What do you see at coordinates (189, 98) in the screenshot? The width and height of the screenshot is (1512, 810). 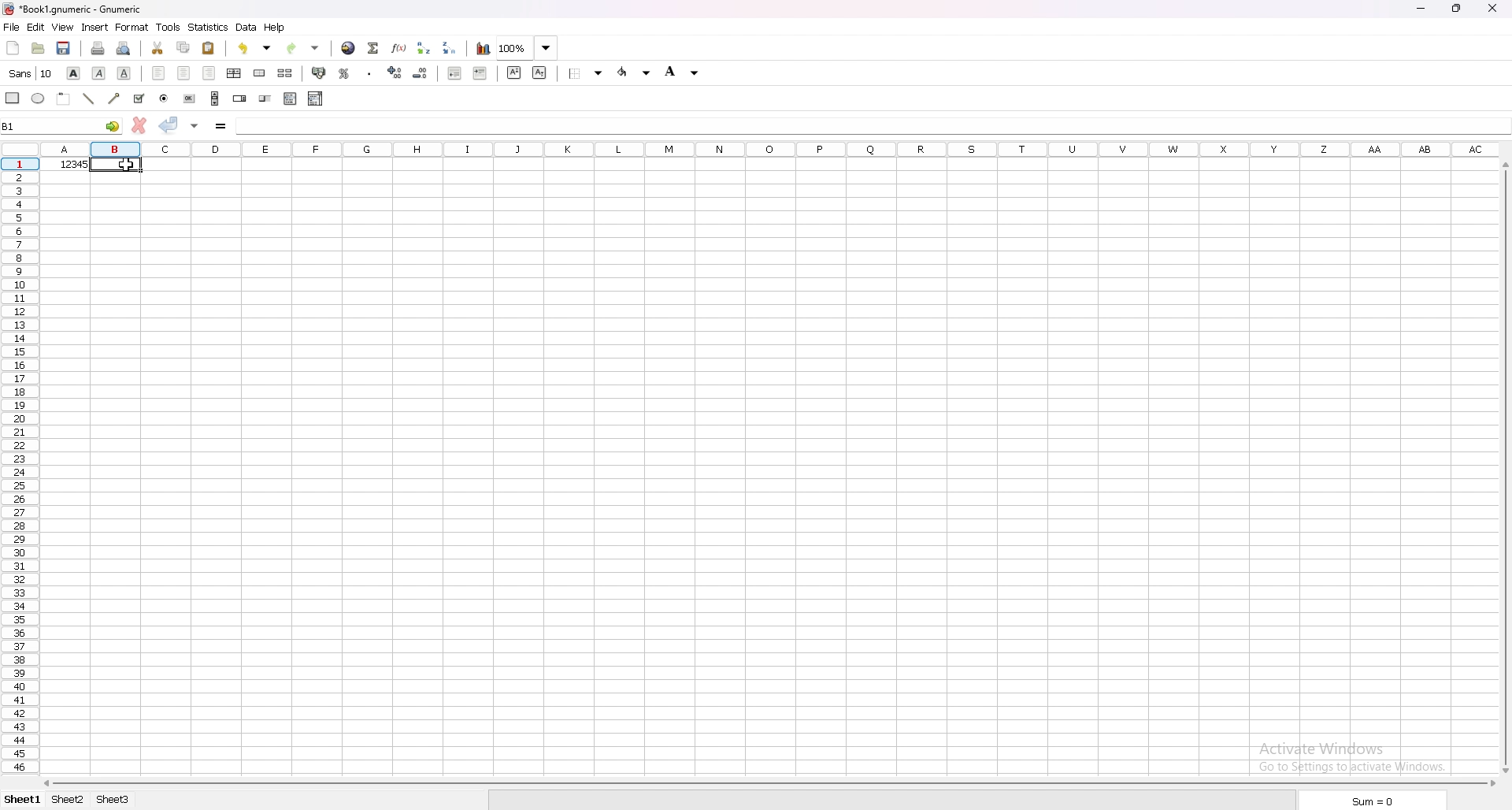 I see `button` at bounding box center [189, 98].